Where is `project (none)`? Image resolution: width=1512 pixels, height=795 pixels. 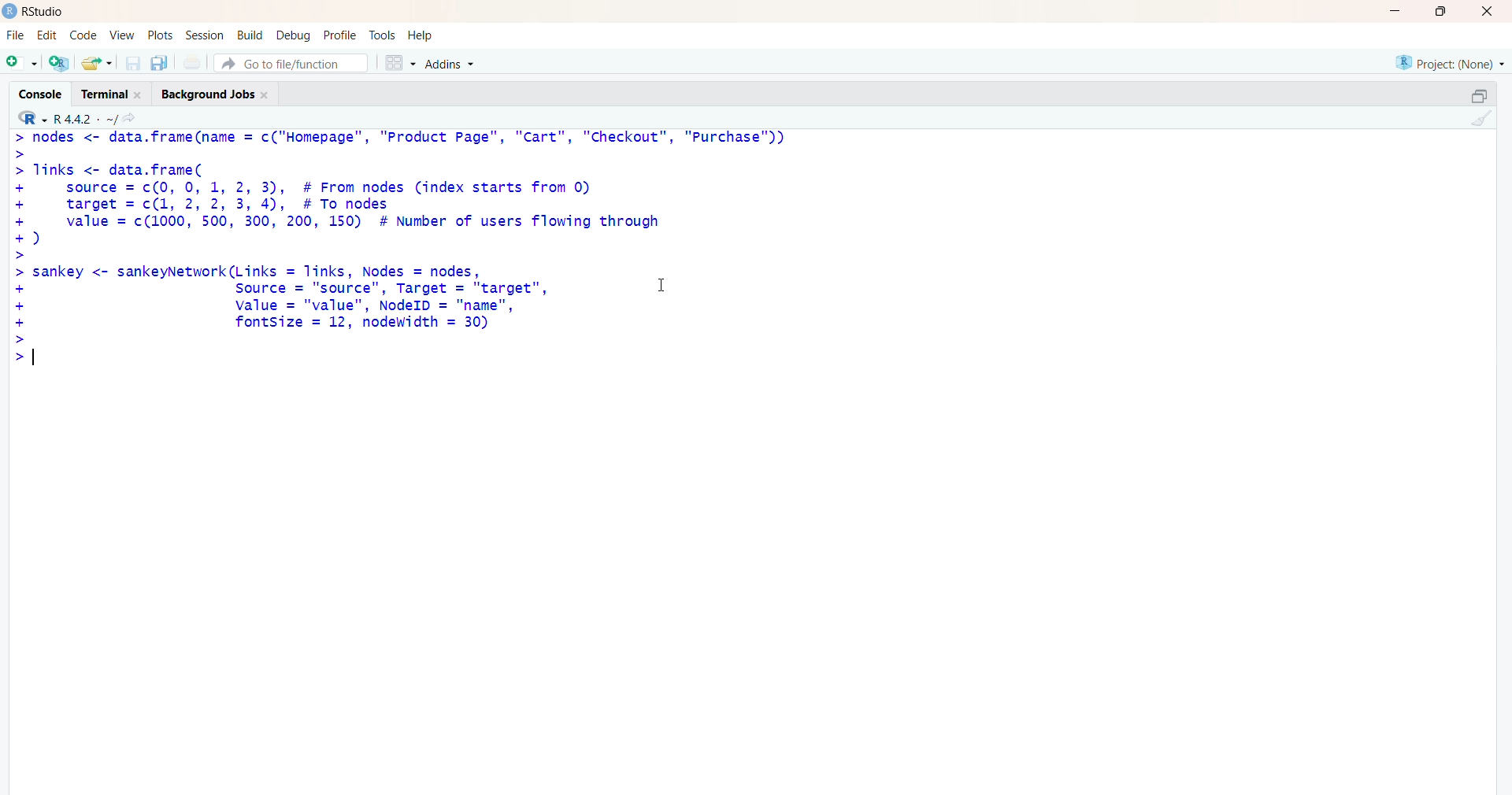
project (none) is located at coordinates (1440, 62).